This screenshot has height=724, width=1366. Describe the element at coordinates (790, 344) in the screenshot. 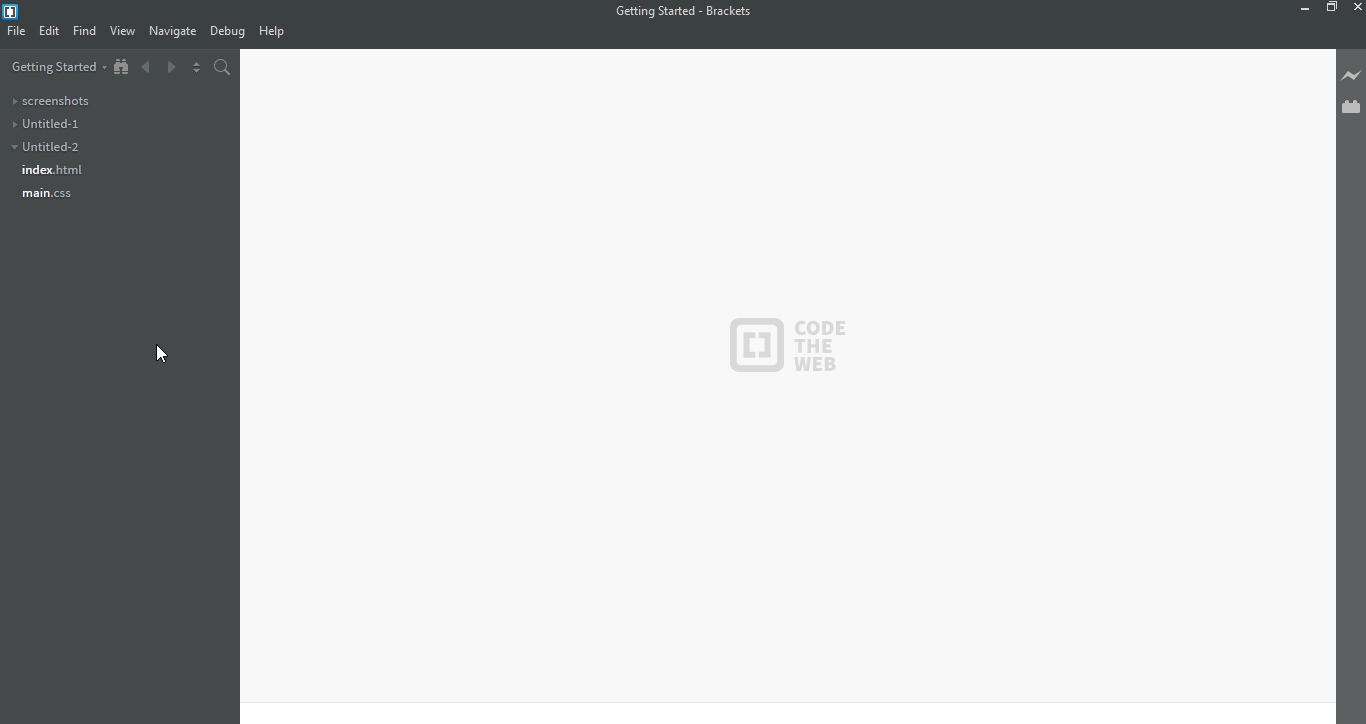

I see `code the web` at that location.